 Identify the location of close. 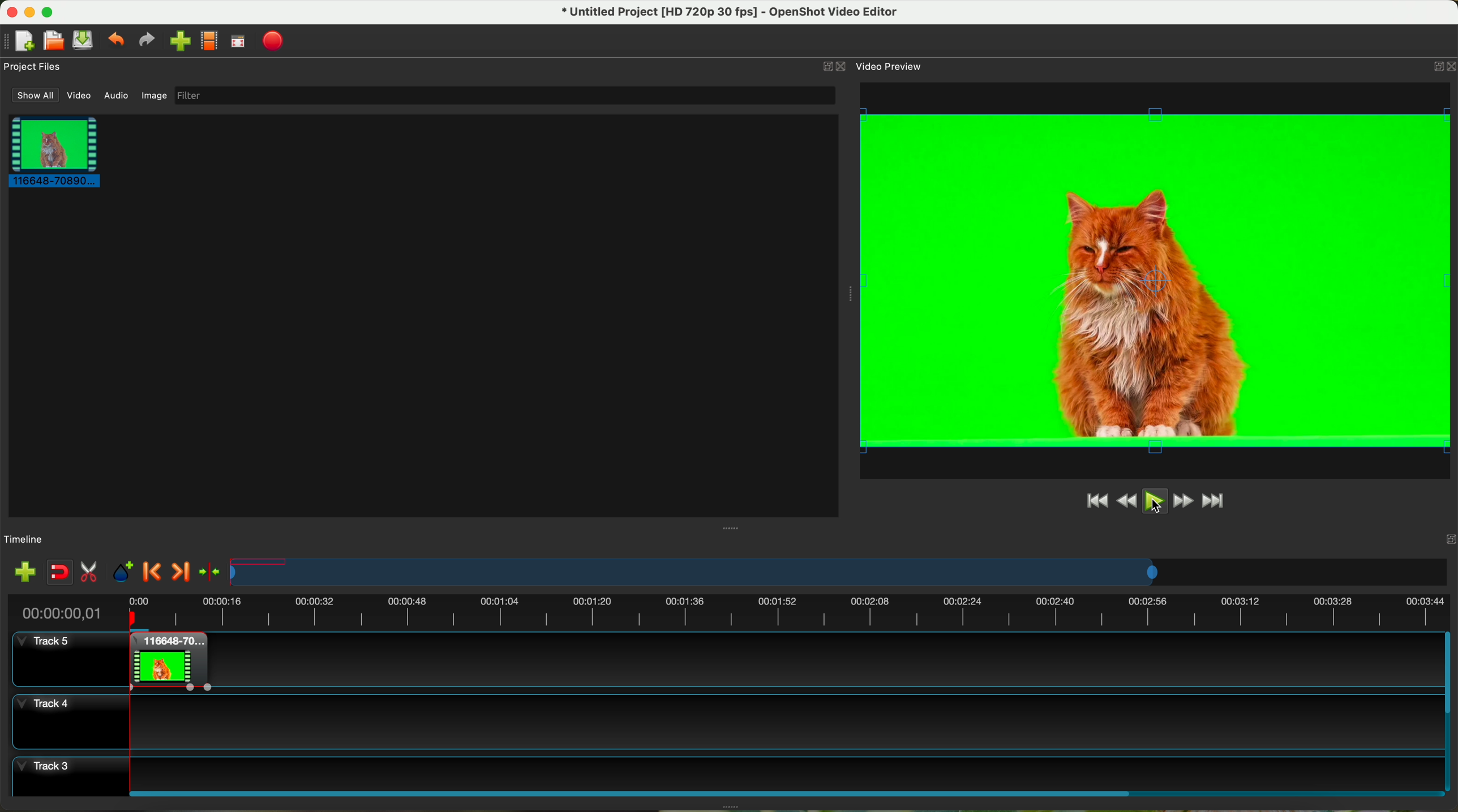
(1442, 68).